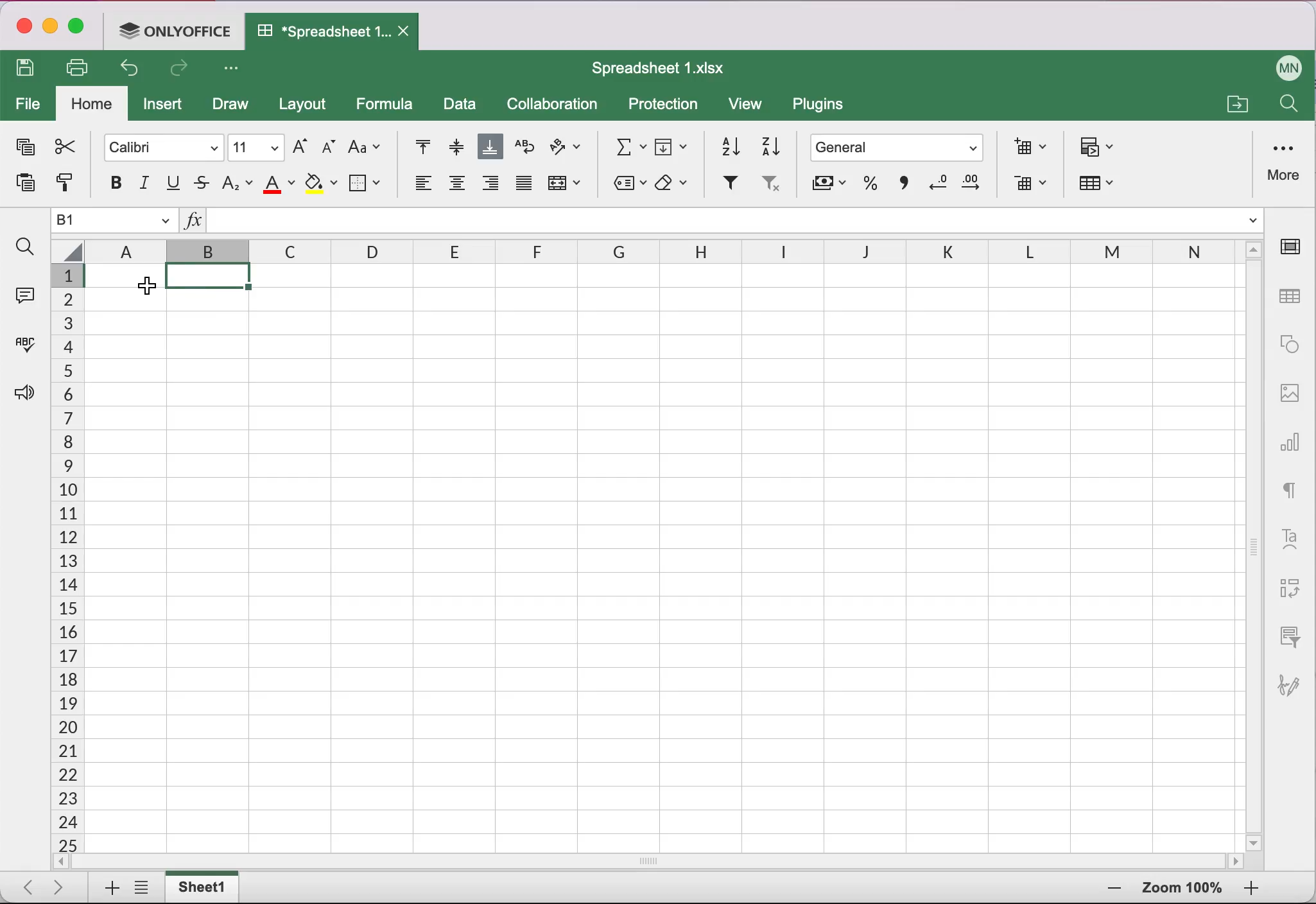  What do you see at coordinates (824, 107) in the screenshot?
I see `plugins` at bounding box center [824, 107].